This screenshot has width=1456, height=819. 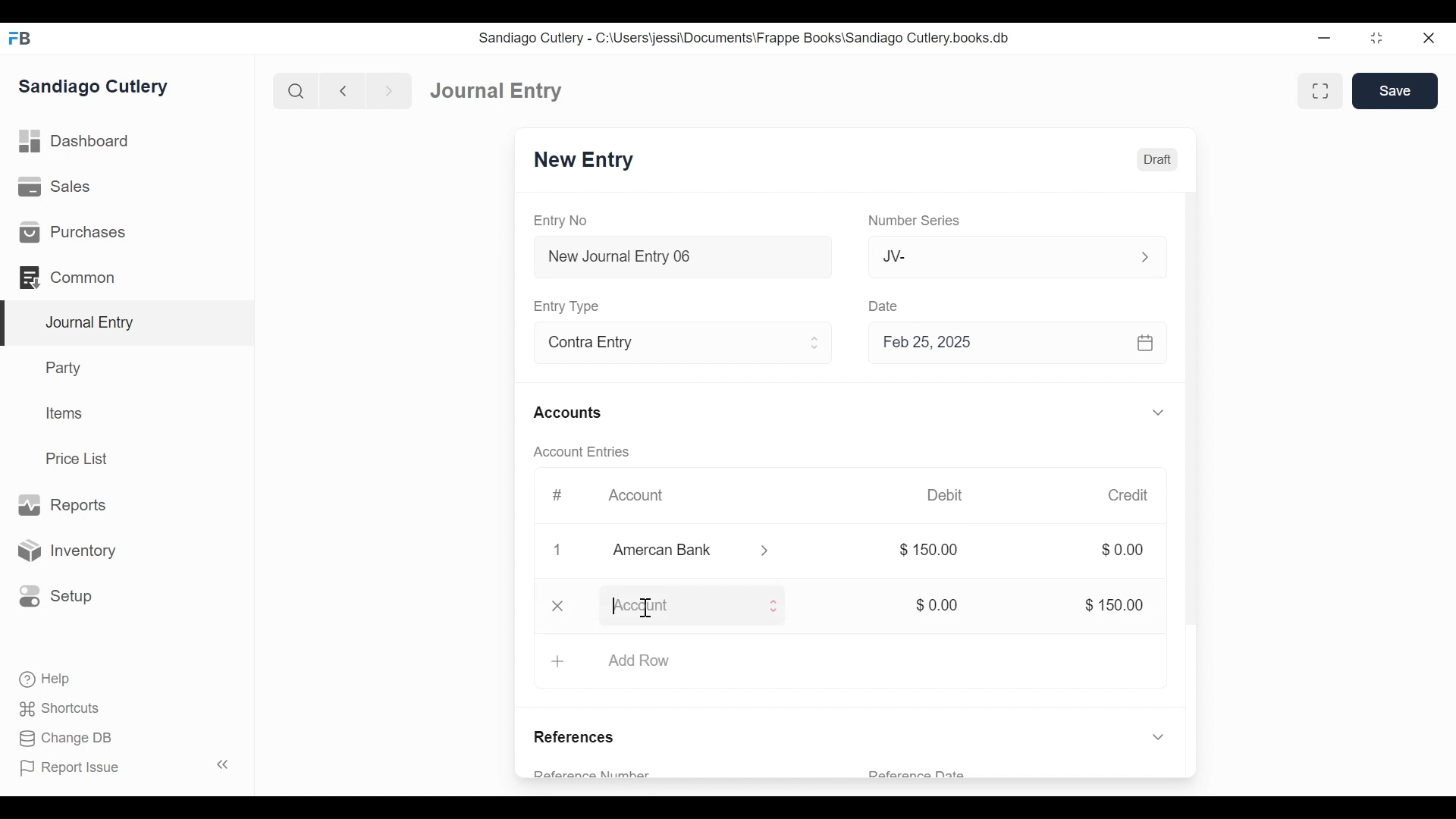 What do you see at coordinates (945, 495) in the screenshot?
I see `Debit` at bounding box center [945, 495].